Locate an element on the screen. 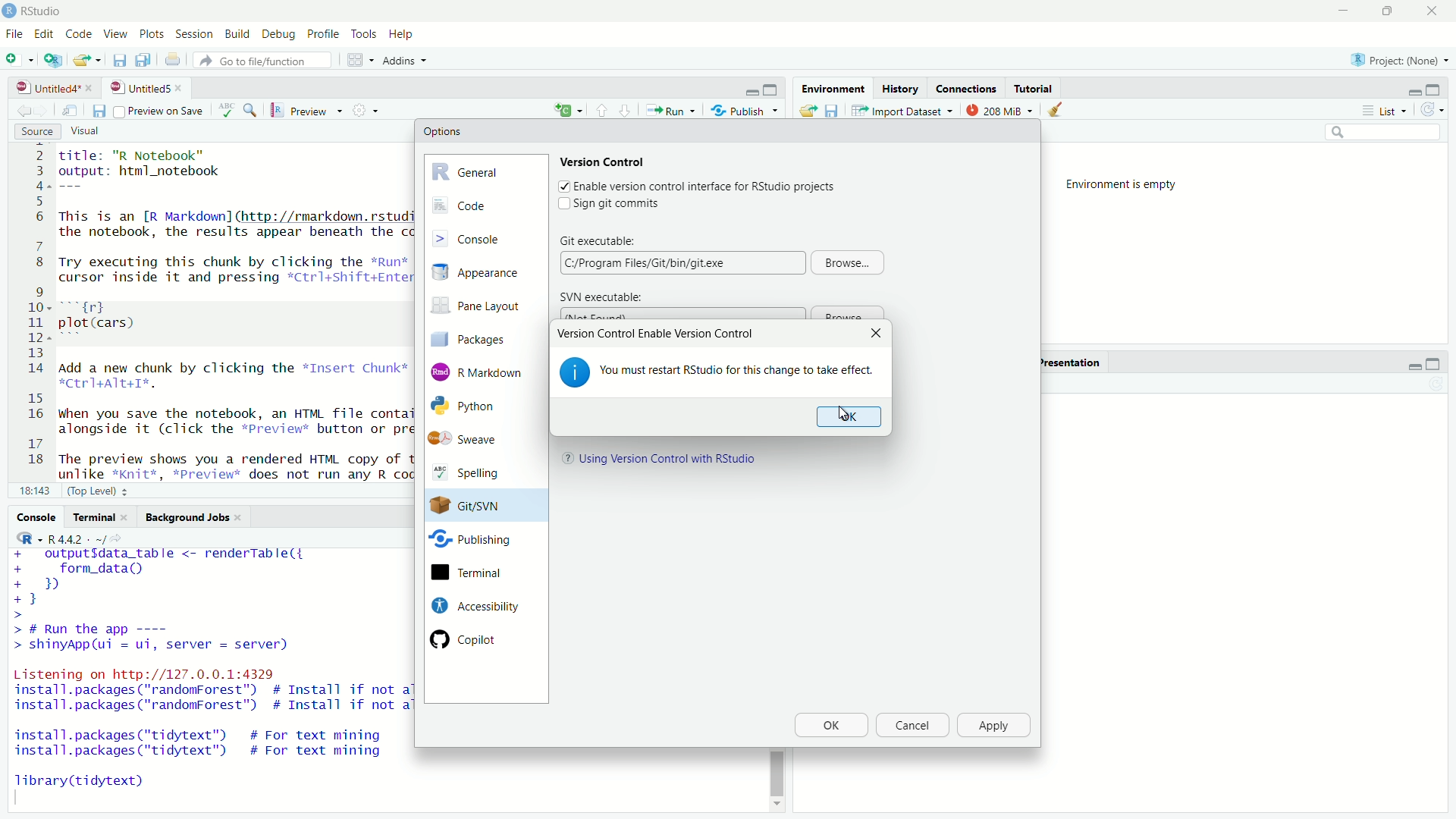 This screenshot has width=1456, height=819. save all open documents is located at coordinates (145, 60).